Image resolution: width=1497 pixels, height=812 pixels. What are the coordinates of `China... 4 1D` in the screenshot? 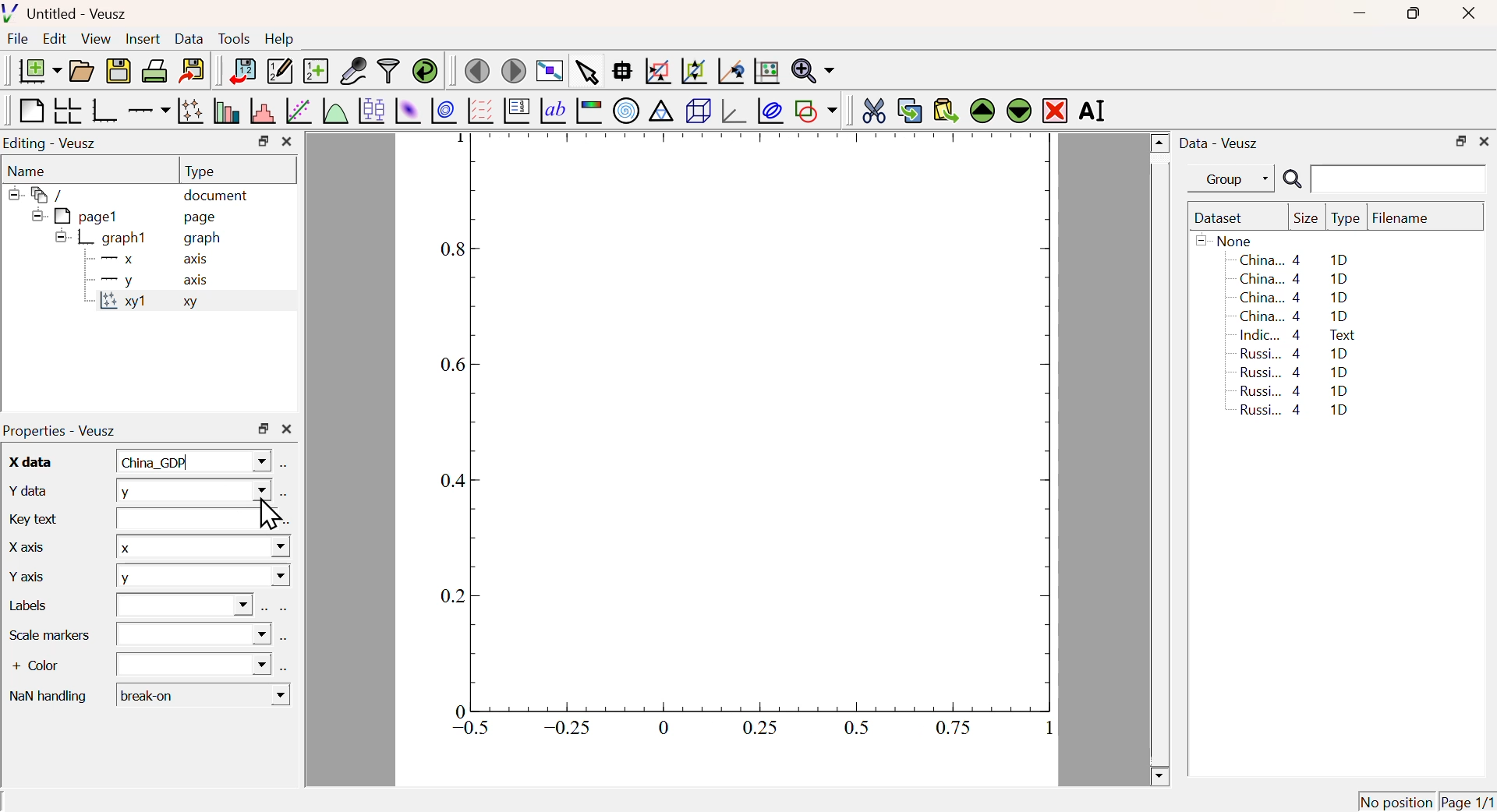 It's located at (1297, 278).